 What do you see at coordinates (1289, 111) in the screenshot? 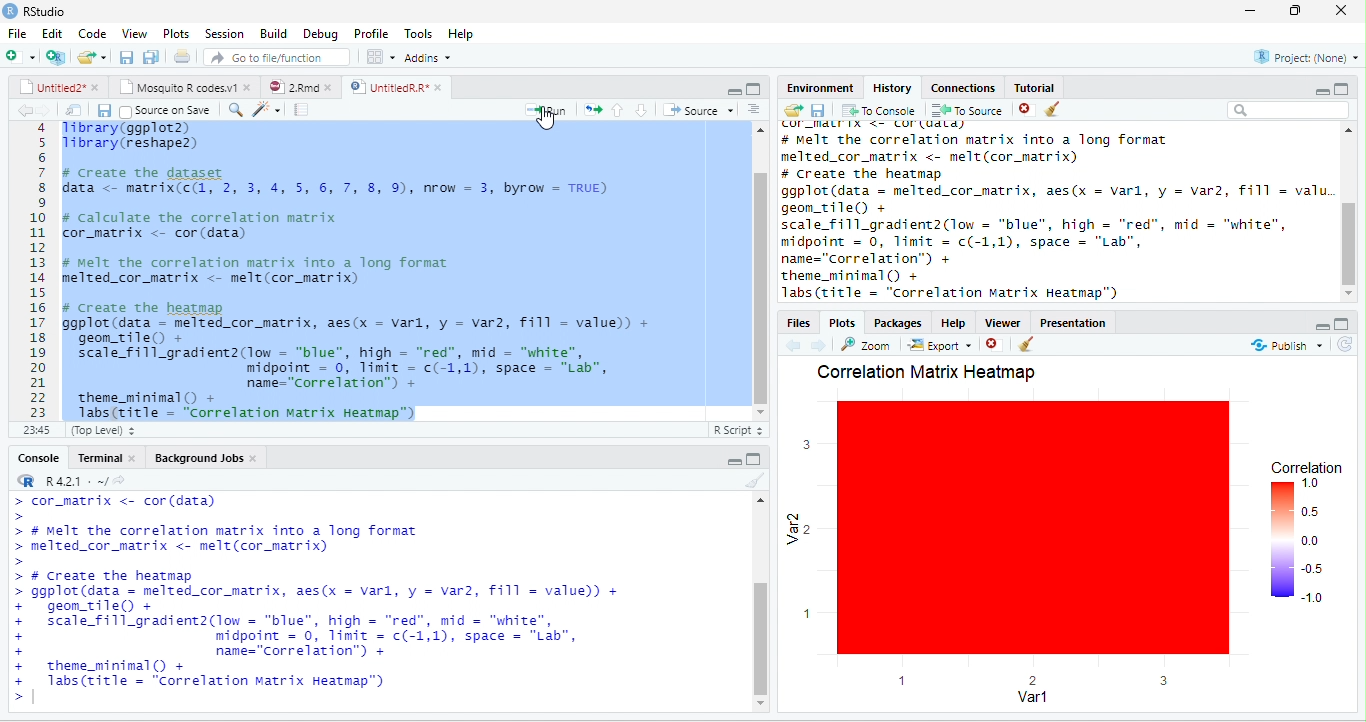
I see `search bar` at bounding box center [1289, 111].